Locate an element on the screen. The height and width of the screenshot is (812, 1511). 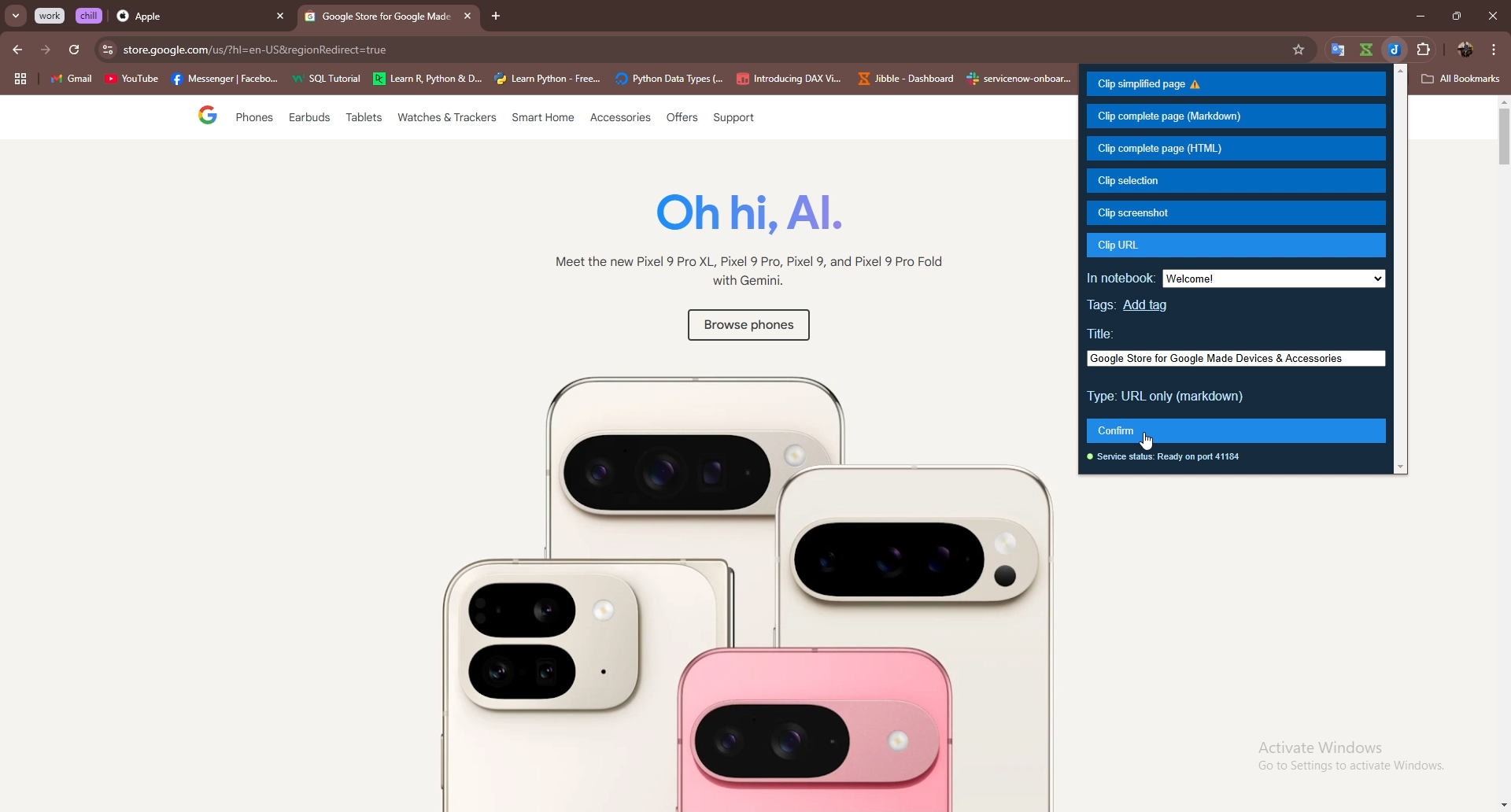
‘Smart Home is located at coordinates (544, 119).